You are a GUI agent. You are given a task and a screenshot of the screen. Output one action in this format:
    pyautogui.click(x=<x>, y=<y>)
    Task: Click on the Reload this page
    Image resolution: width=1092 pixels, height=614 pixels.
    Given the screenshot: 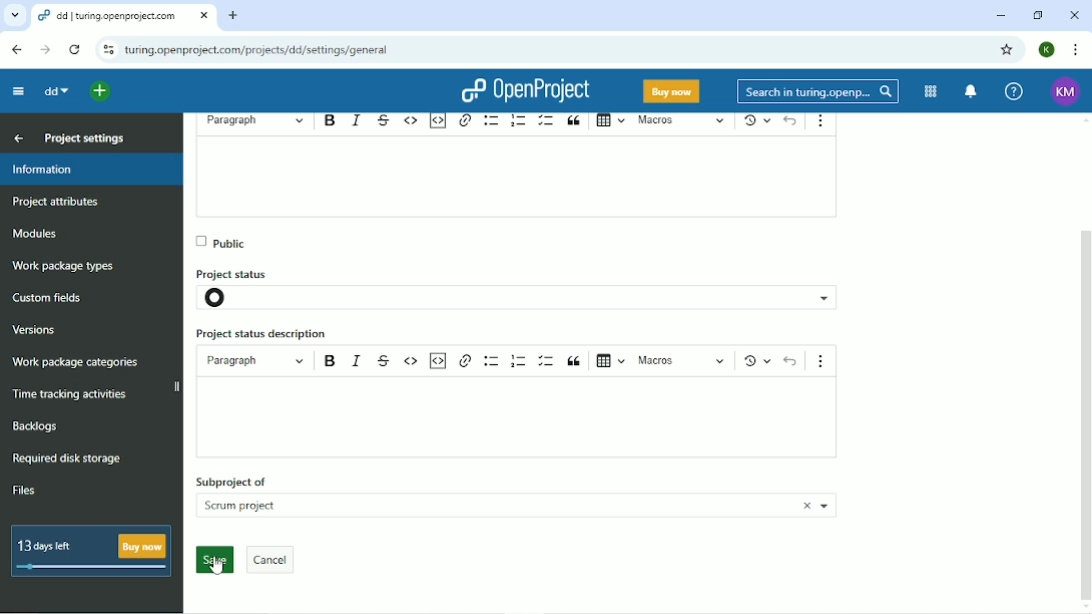 What is the action you would take?
    pyautogui.click(x=75, y=50)
    